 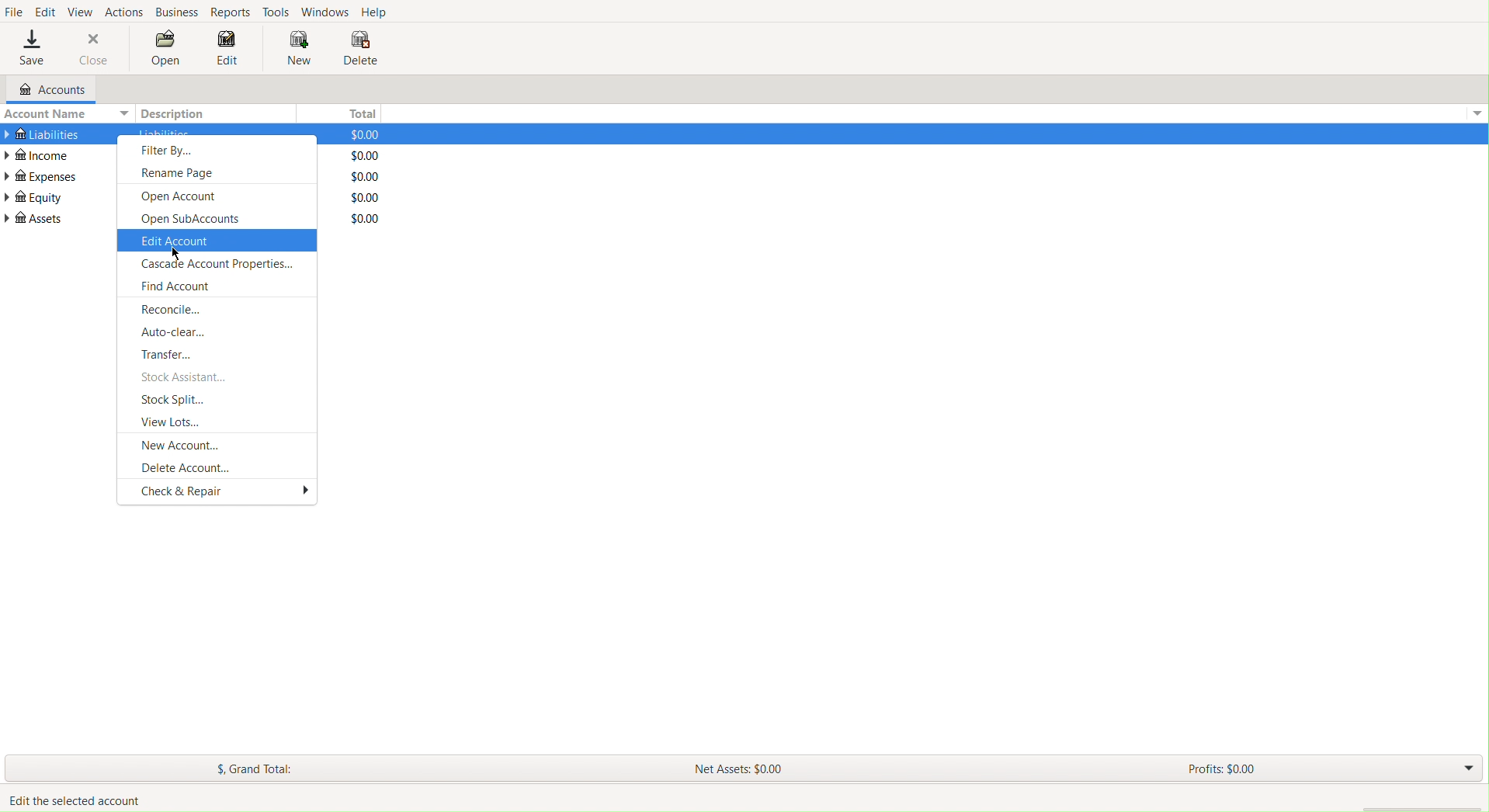 I want to click on Account Name, so click(x=65, y=113).